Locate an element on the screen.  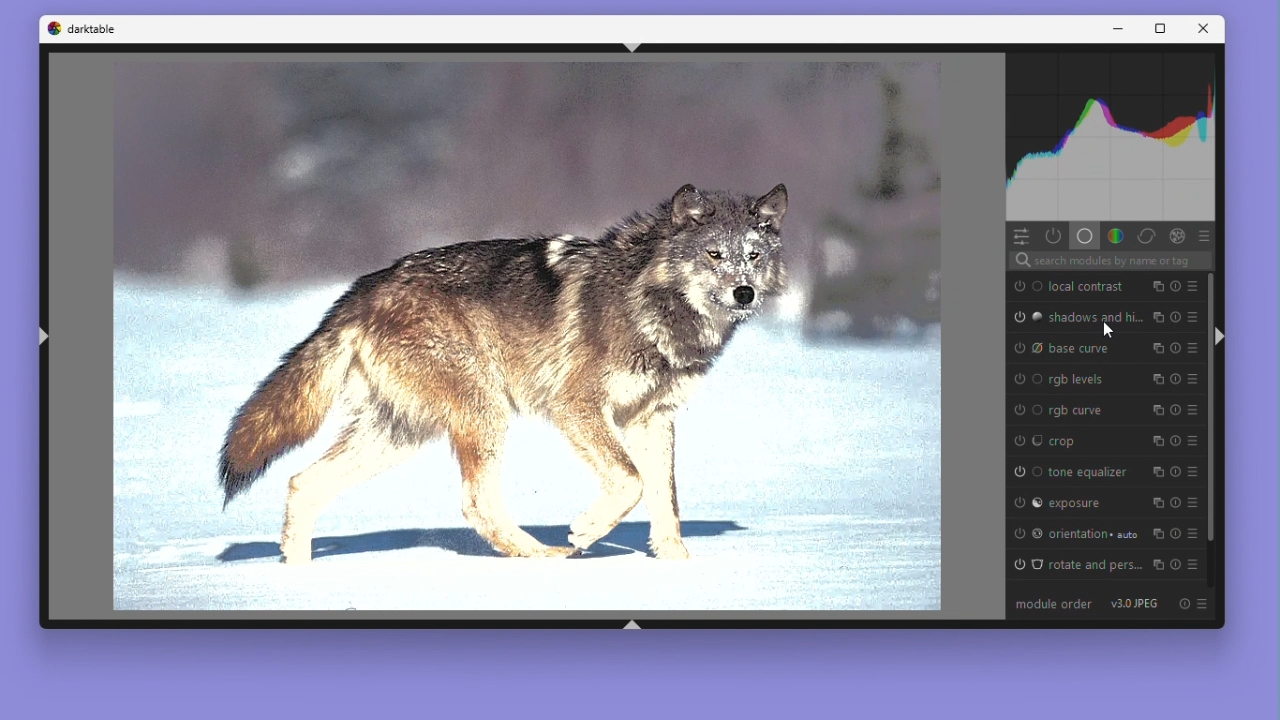
'Exposure' is switched on is located at coordinates (1023, 501).